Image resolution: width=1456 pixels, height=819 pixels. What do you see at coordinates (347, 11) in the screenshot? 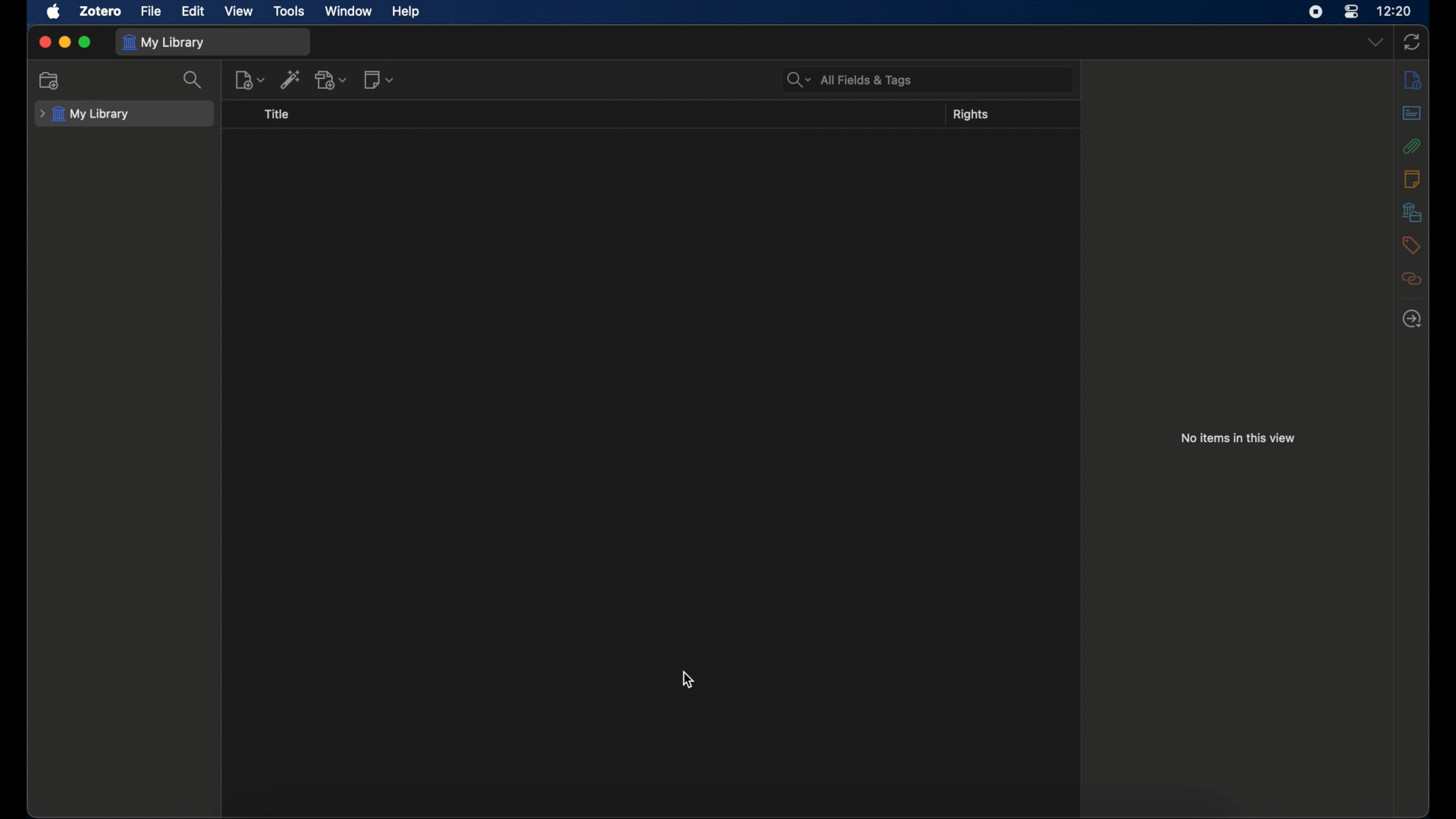
I see `window` at bounding box center [347, 11].